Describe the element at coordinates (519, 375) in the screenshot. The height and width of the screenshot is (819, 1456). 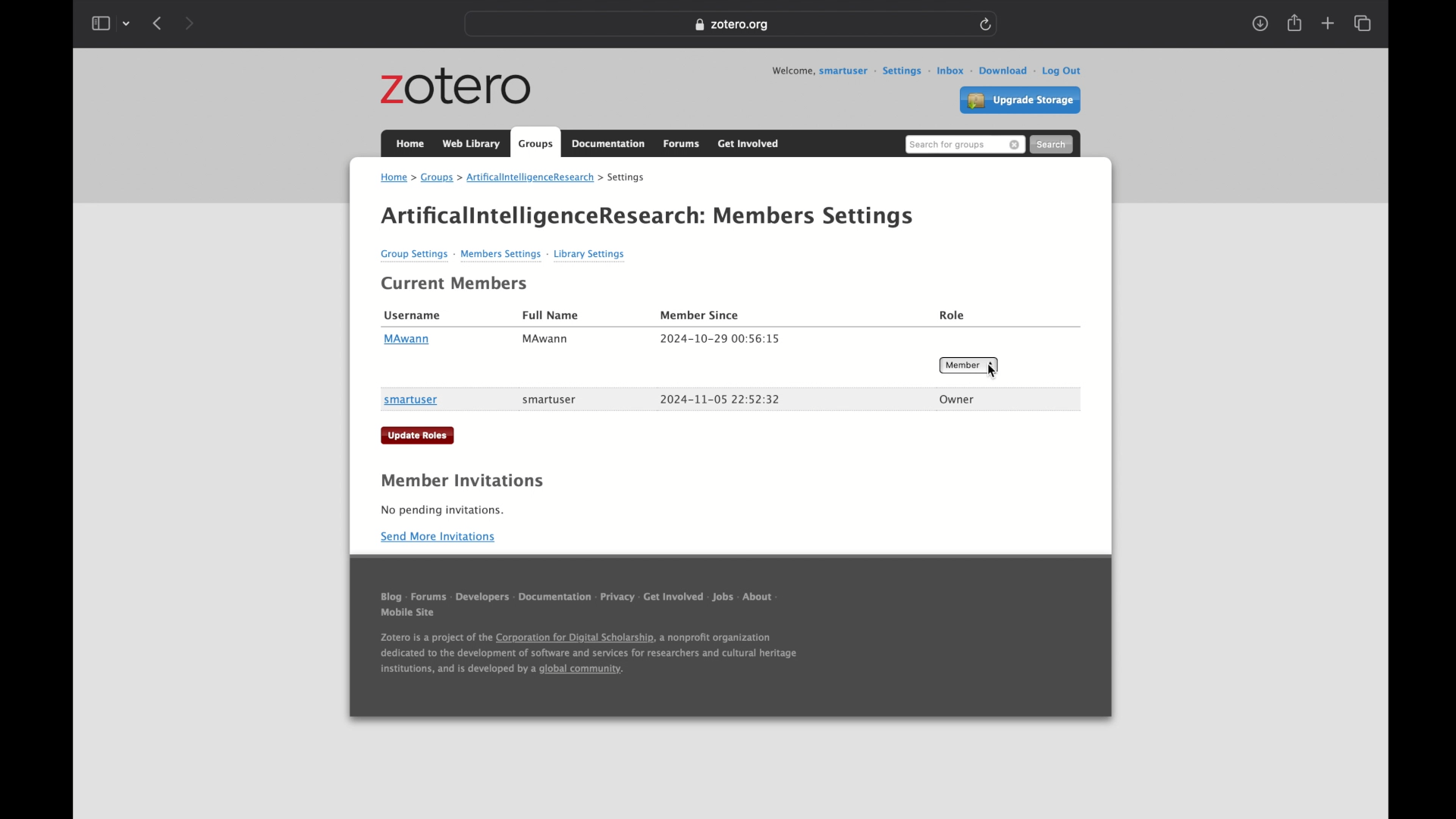
I see `2` at that location.